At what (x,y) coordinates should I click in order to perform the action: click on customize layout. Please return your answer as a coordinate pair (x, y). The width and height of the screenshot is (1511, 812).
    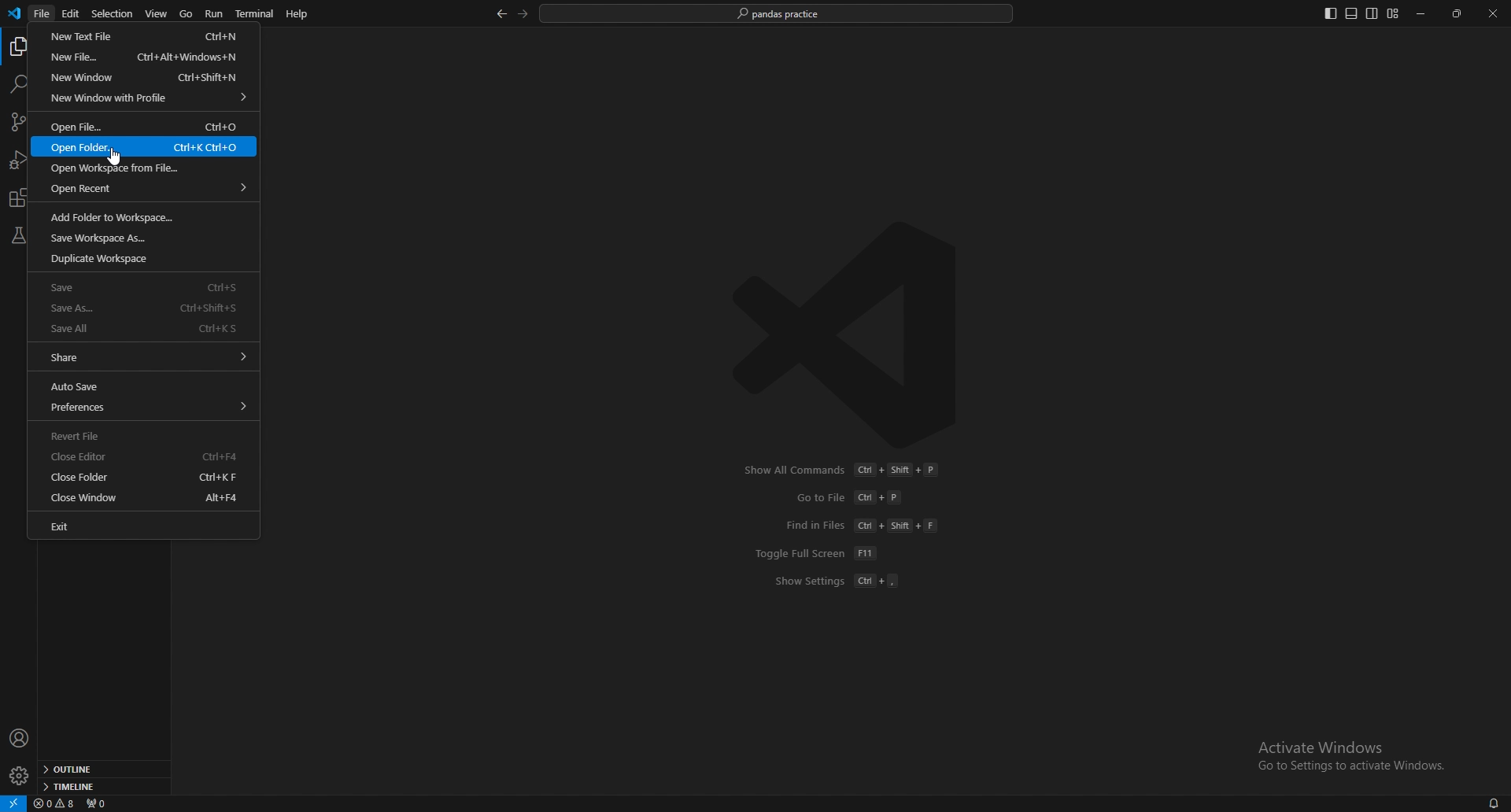
    Looking at the image, I should click on (1392, 14).